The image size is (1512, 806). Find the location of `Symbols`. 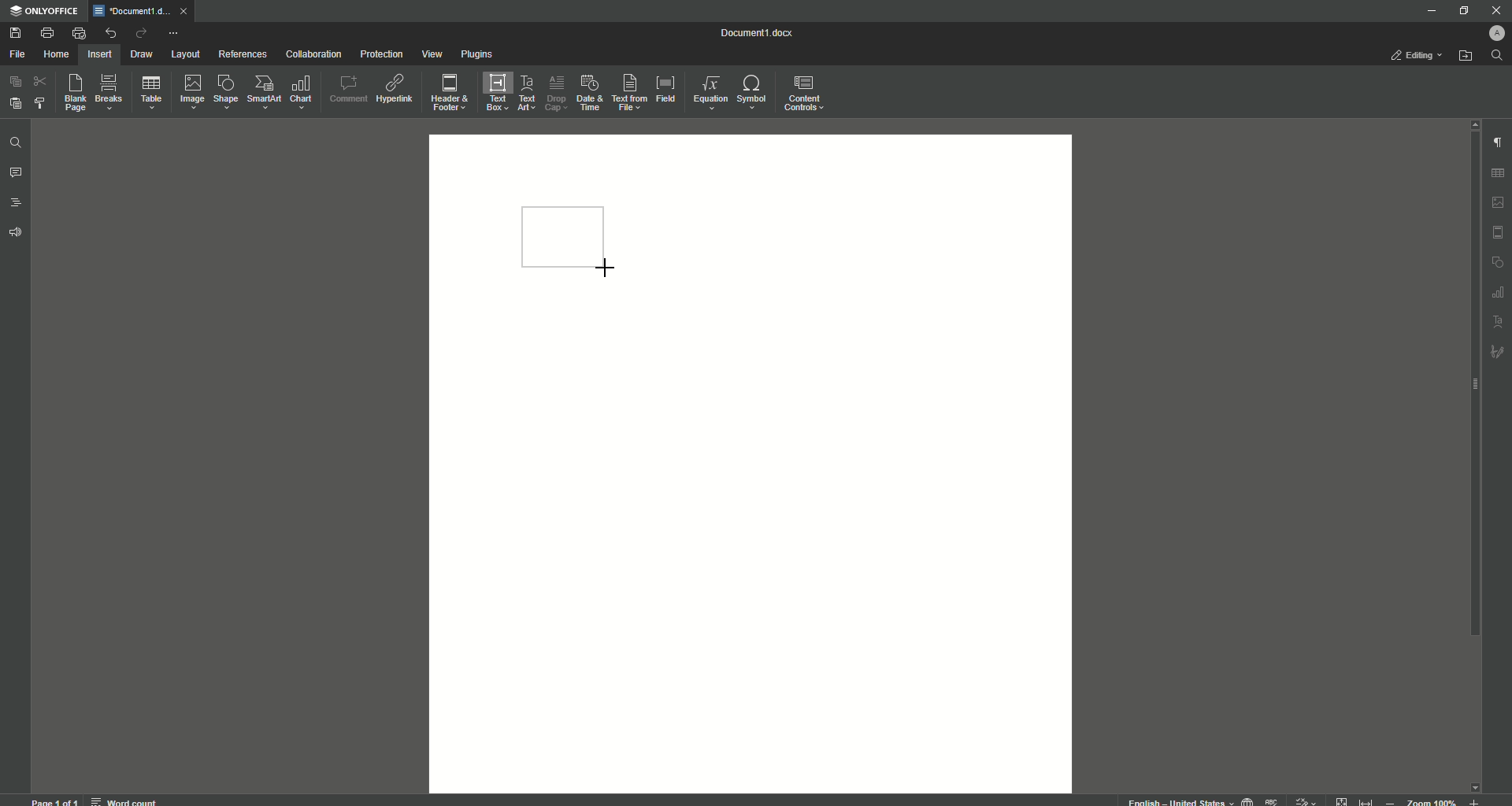

Symbols is located at coordinates (750, 92).